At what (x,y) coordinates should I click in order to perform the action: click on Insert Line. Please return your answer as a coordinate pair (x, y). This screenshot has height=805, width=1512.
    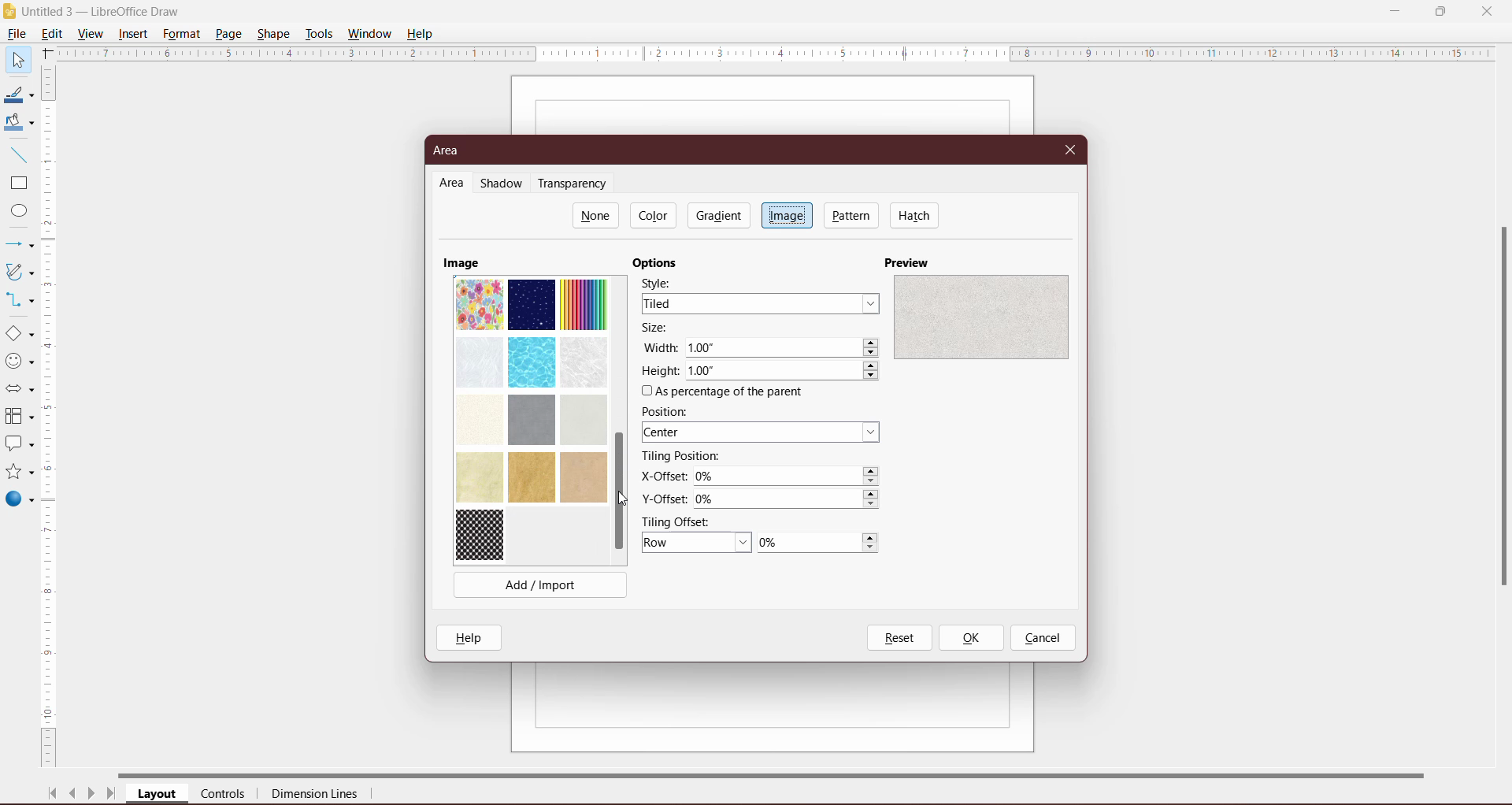
    Looking at the image, I should click on (17, 154).